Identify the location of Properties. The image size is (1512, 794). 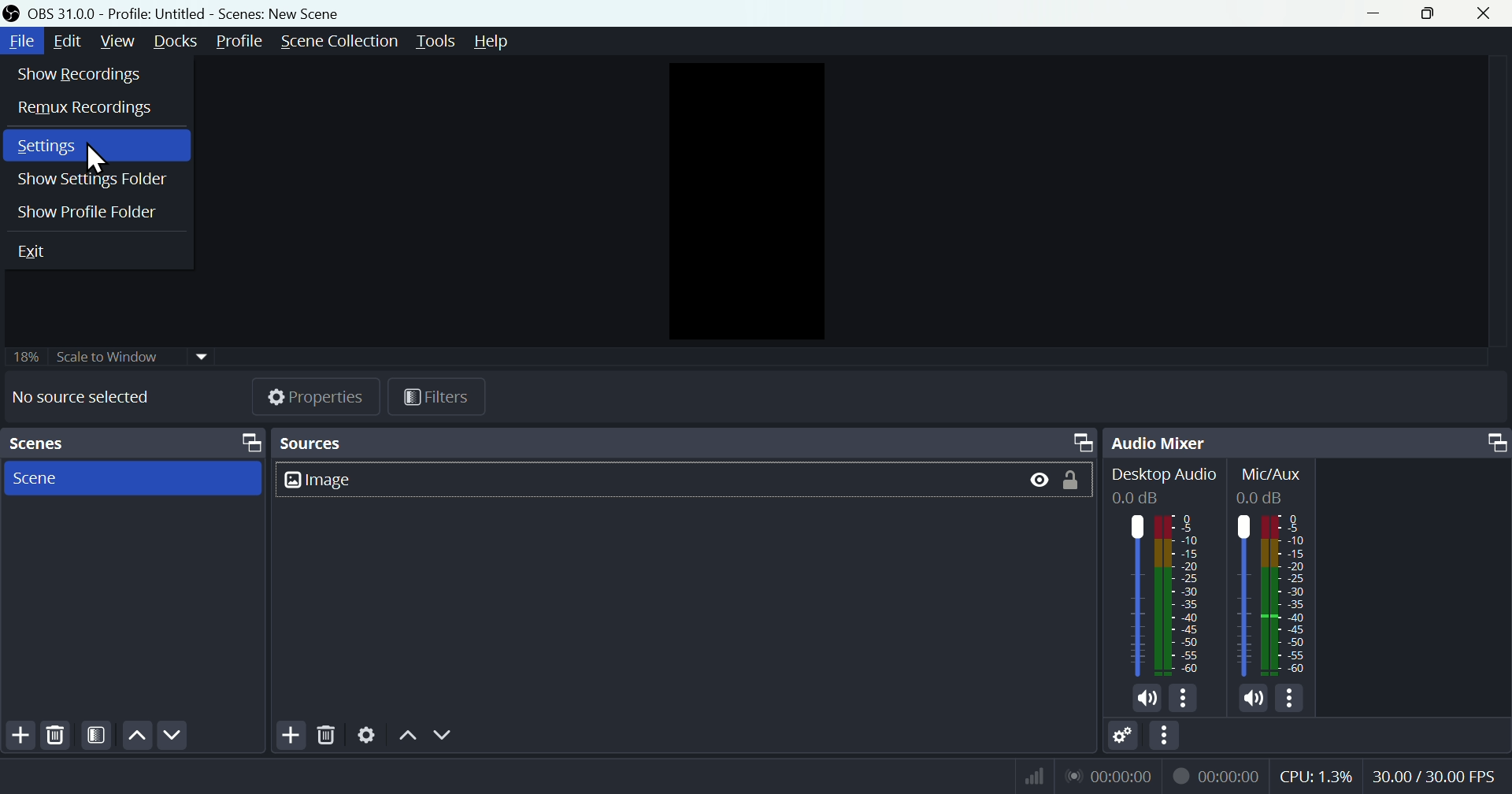
(306, 397).